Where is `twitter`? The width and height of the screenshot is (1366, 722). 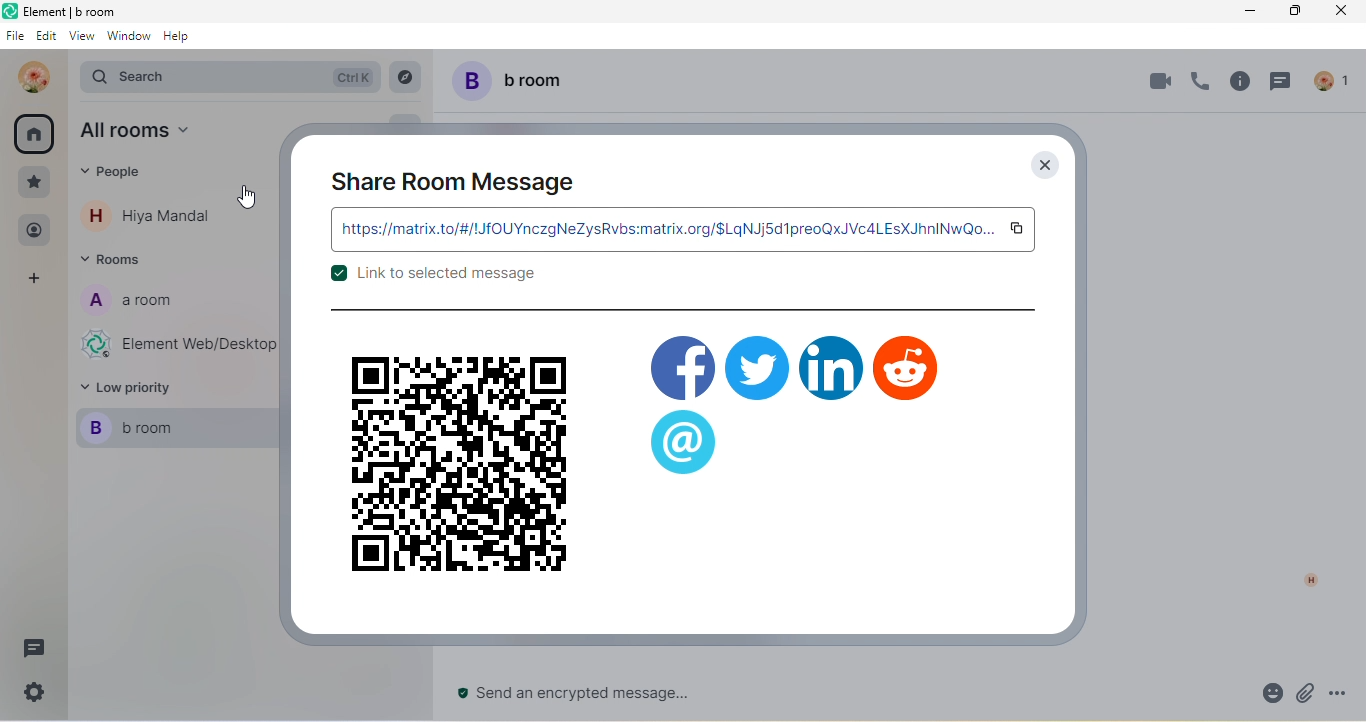 twitter is located at coordinates (757, 366).